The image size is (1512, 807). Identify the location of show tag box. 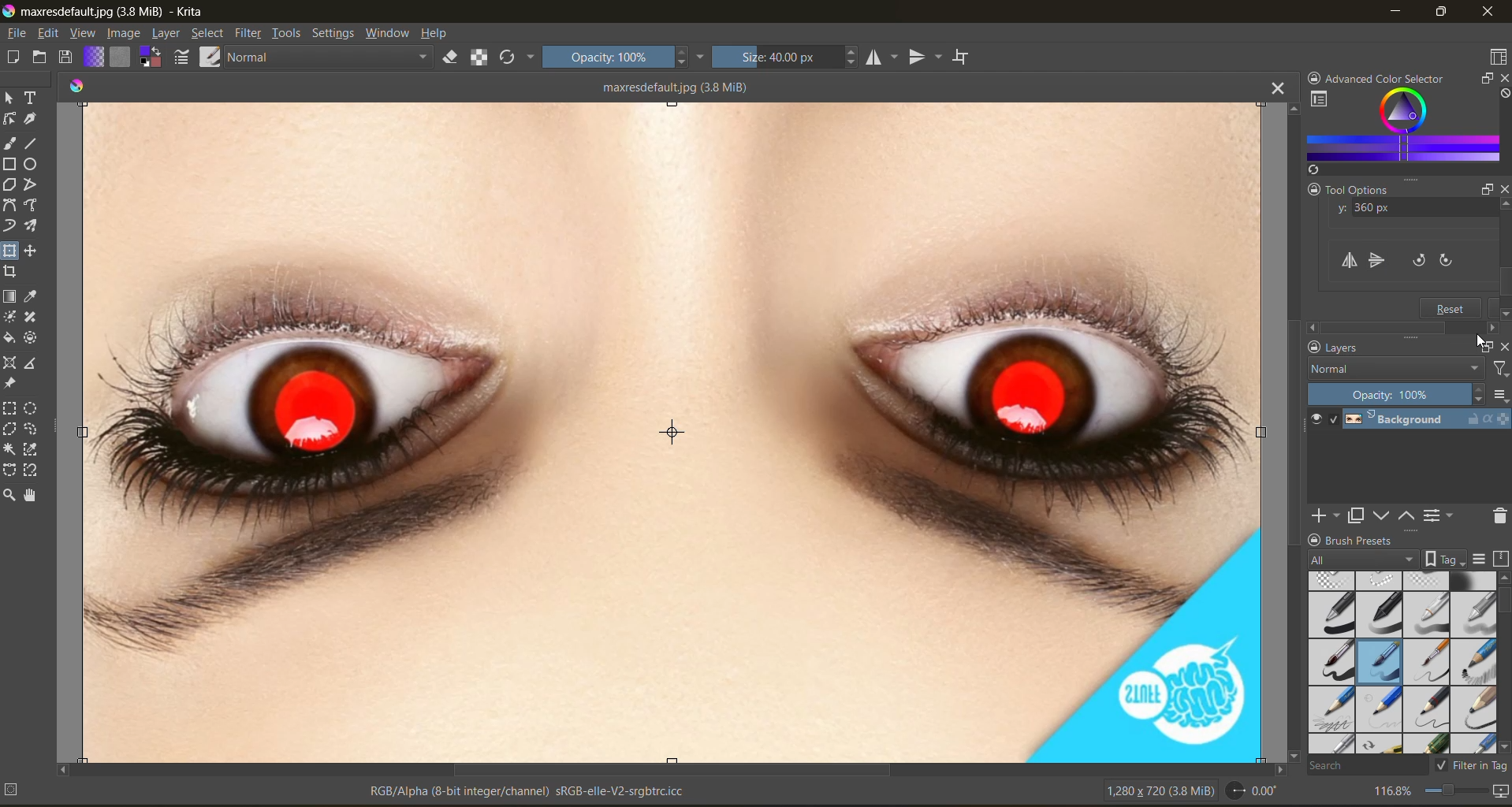
(1445, 558).